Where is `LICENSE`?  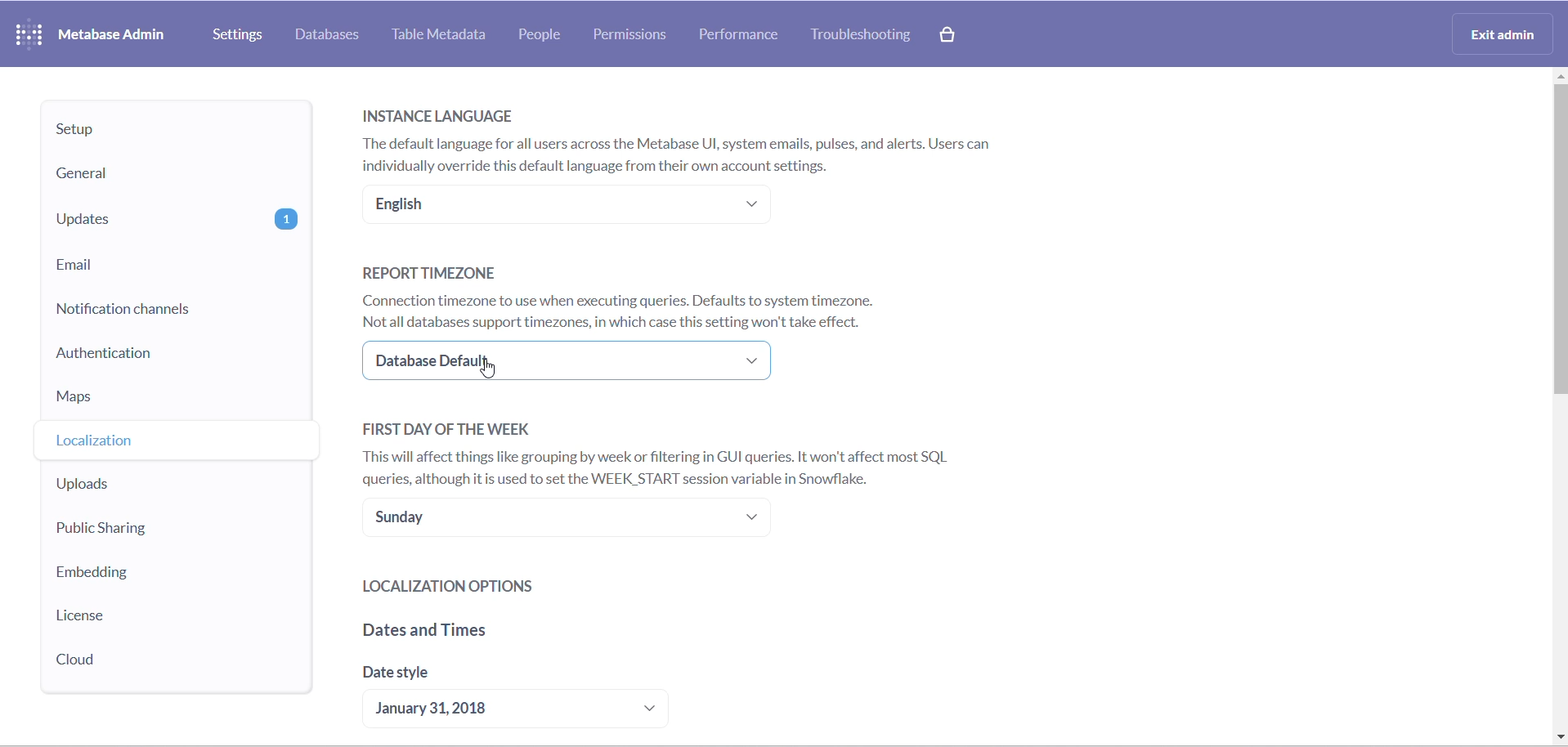 LICENSE is located at coordinates (141, 617).